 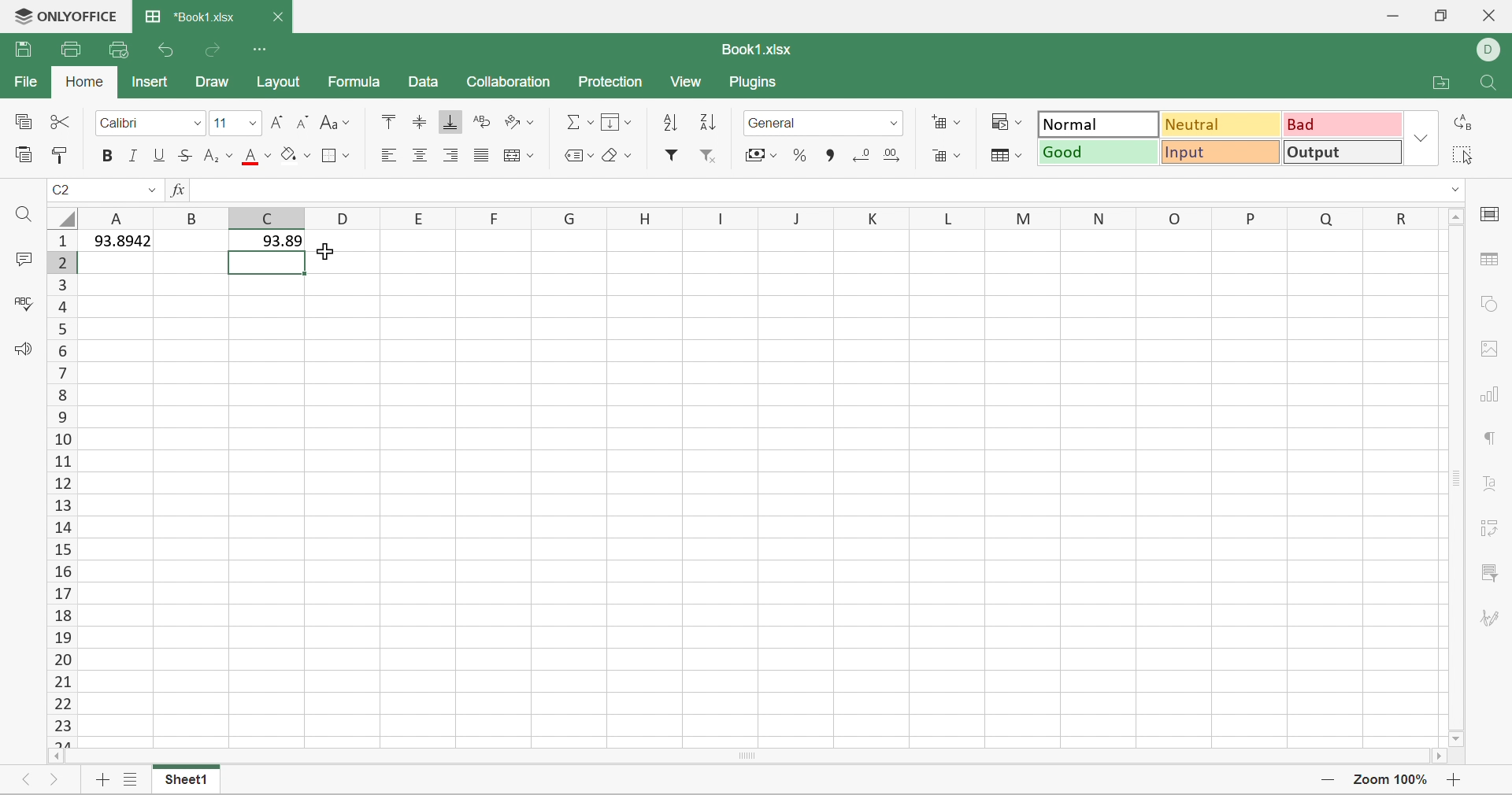 What do you see at coordinates (279, 120) in the screenshot?
I see `Increment font size` at bounding box center [279, 120].